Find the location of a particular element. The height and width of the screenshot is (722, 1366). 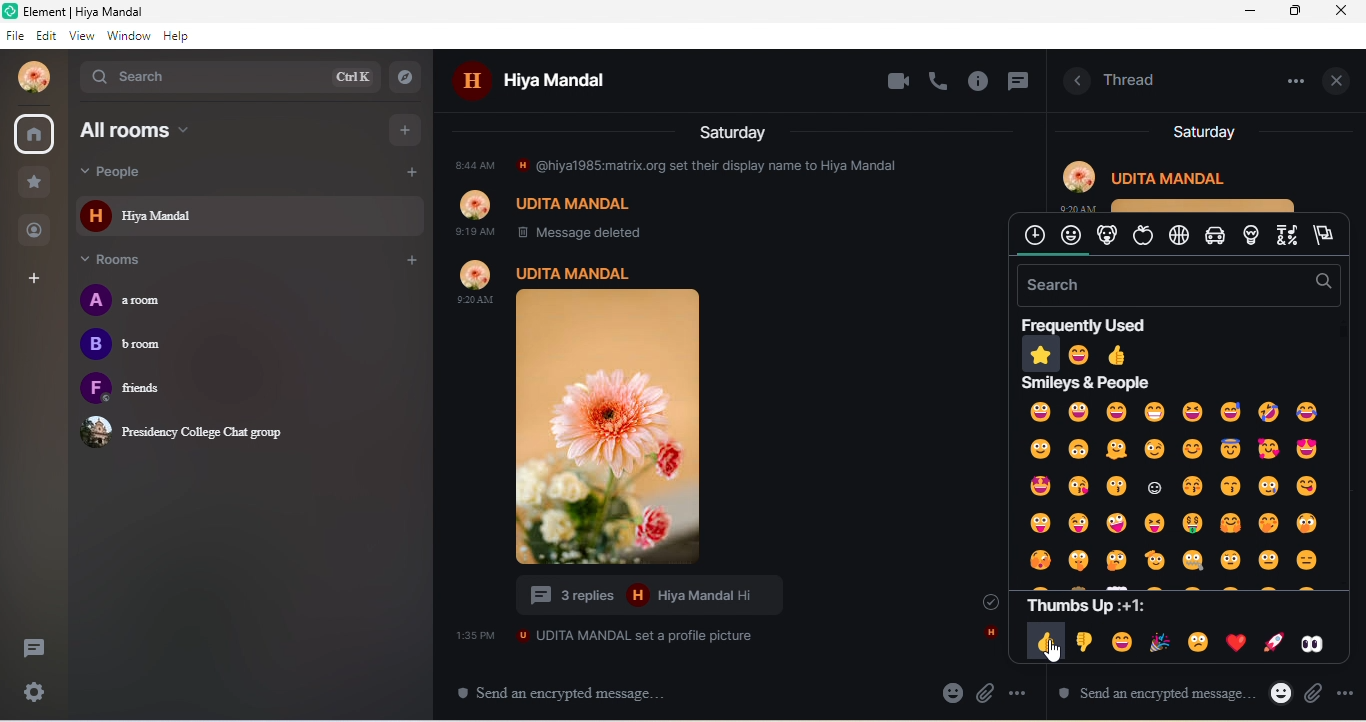

scroll to most recent message is located at coordinates (981, 601).